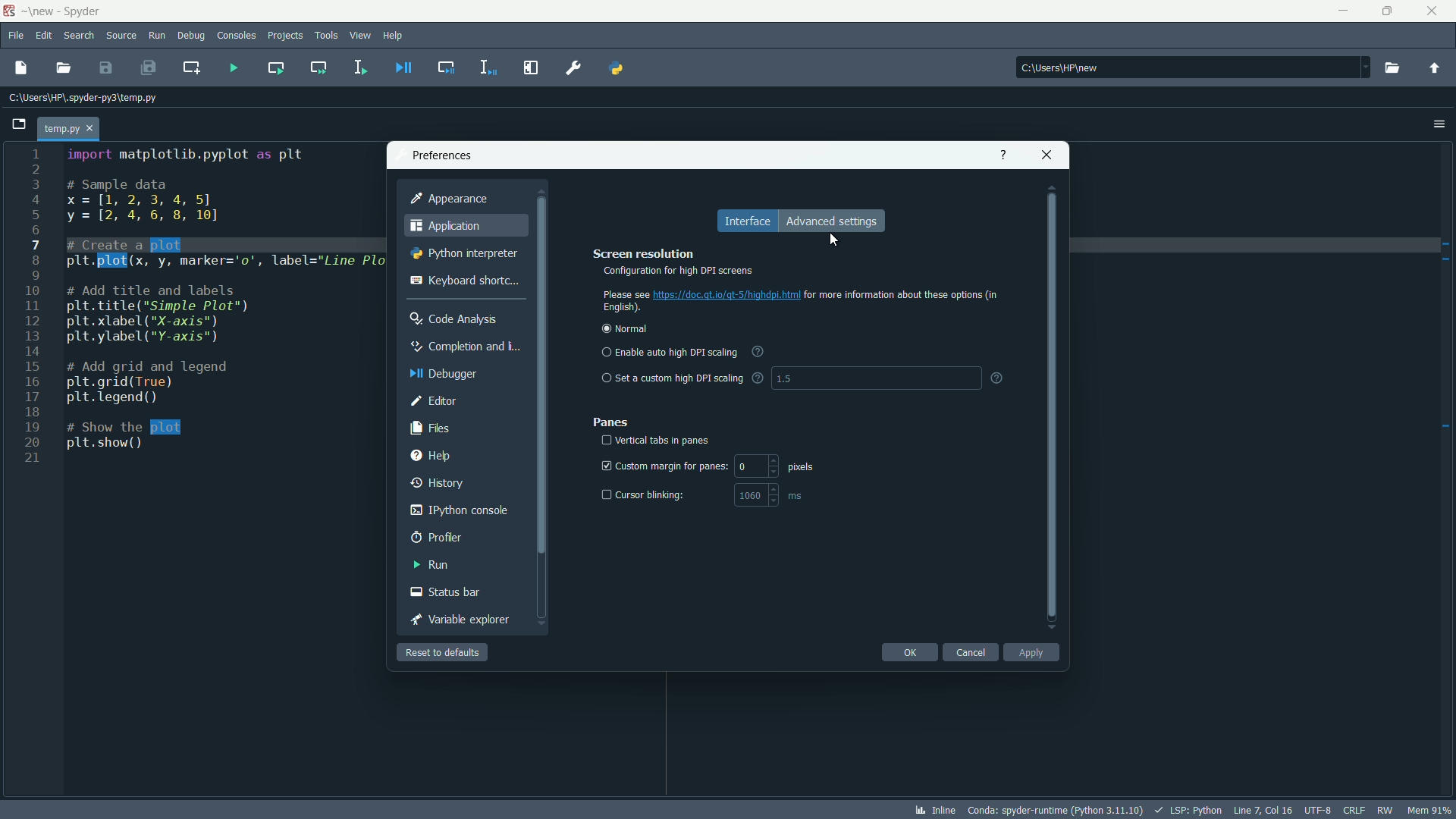 The width and height of the screenshot is (1456, 819). Describe the element at coordinates (758, 352) in the screenshot. I see `more info` at that location.